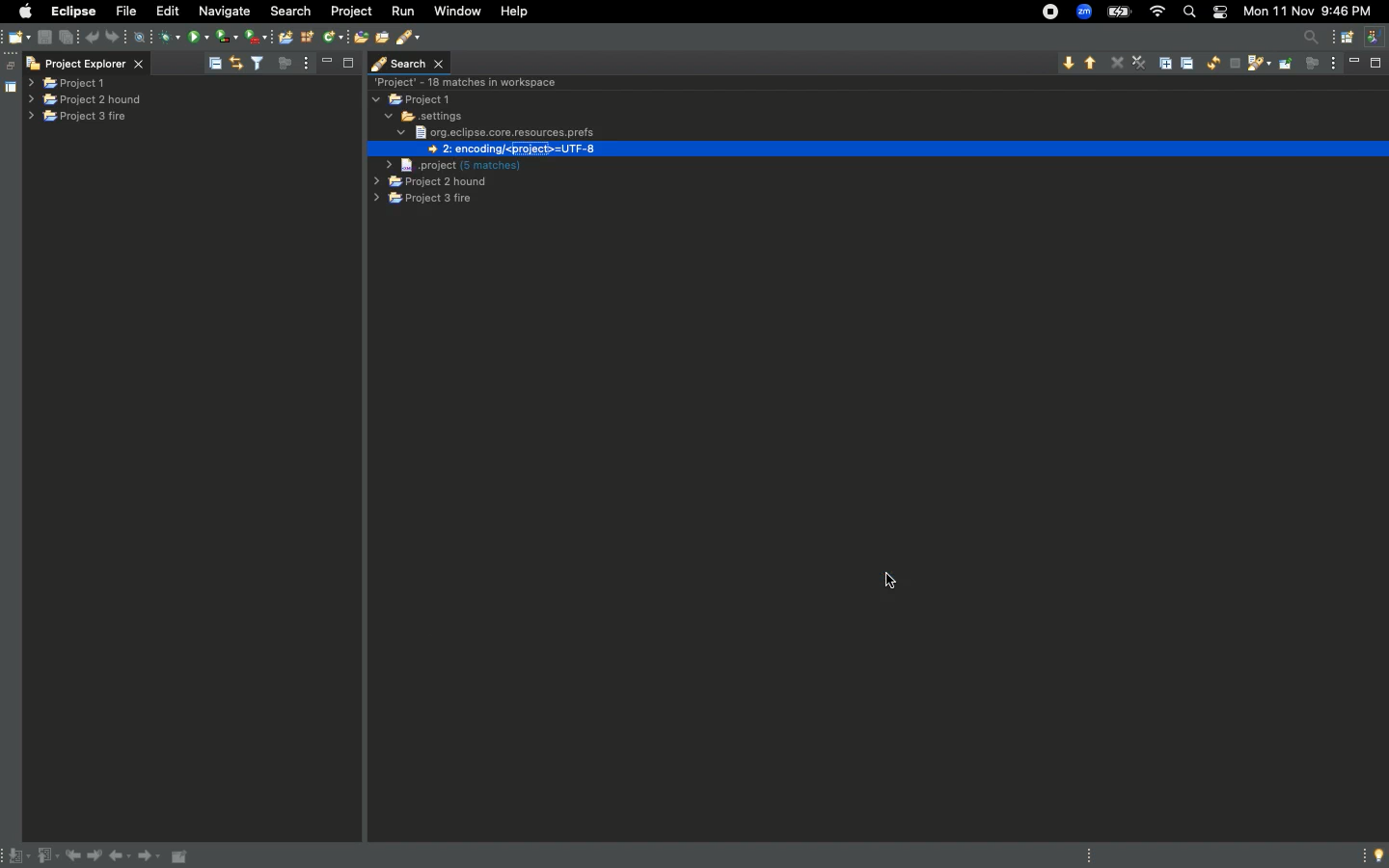 This screenshot has width=1389, height=868. Describe the element at coordinates (1118, 12) in the screenshot. I see `Charge` at that location.